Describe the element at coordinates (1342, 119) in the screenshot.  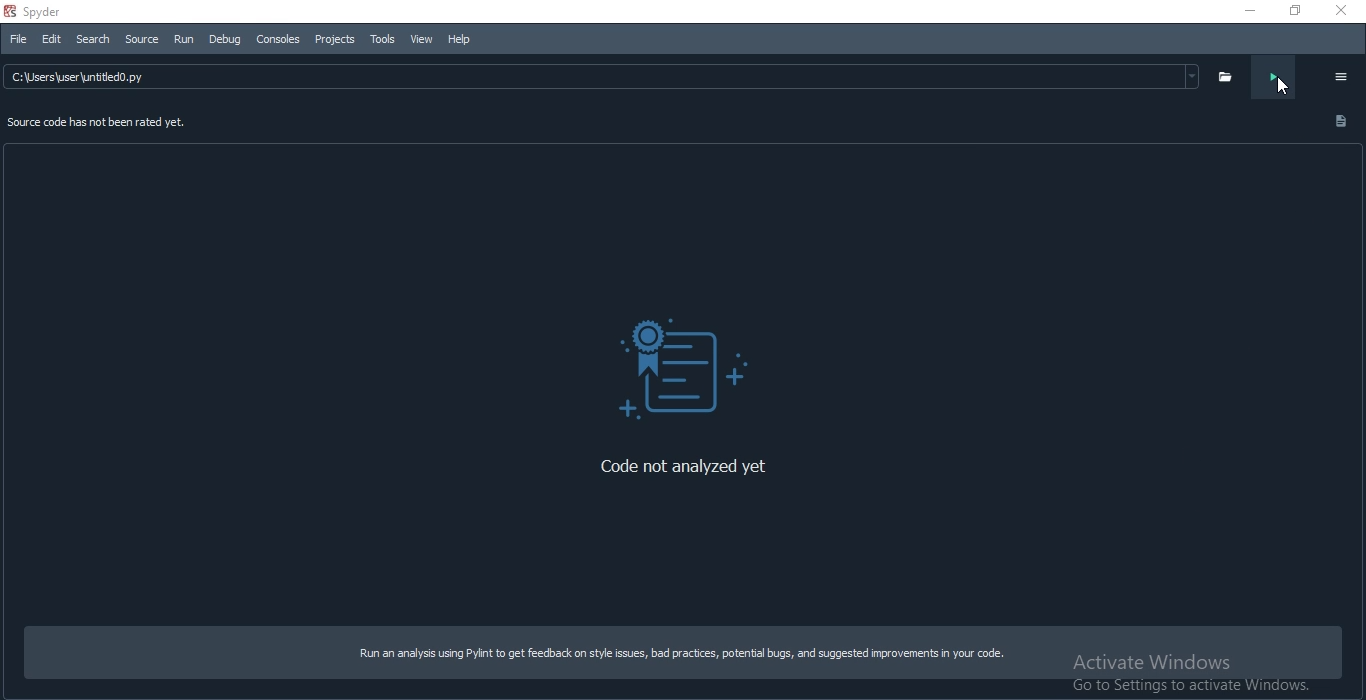
I see `document` at that location.